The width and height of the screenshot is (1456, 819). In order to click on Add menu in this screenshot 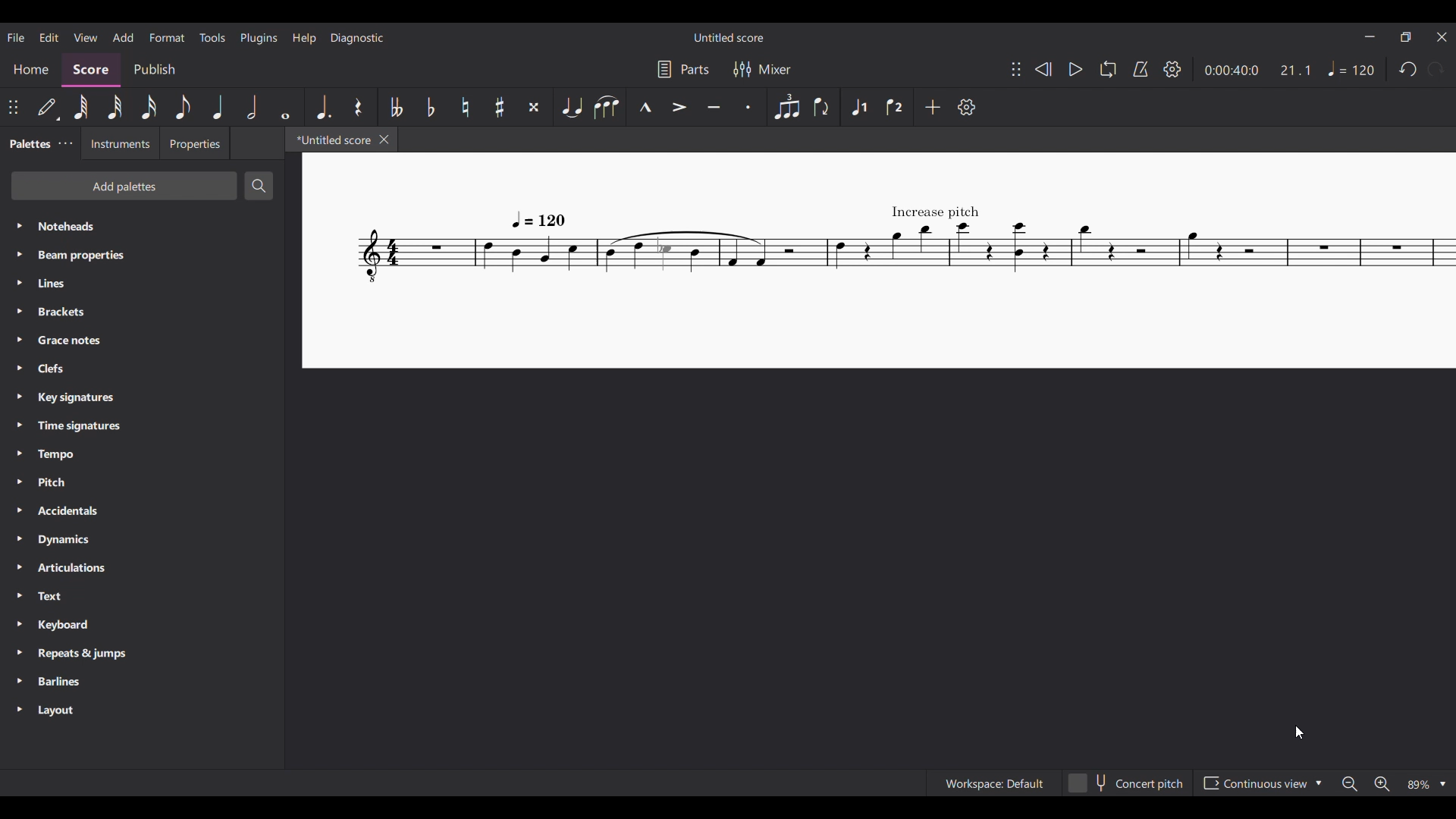, I will do `click(122, 36)`.